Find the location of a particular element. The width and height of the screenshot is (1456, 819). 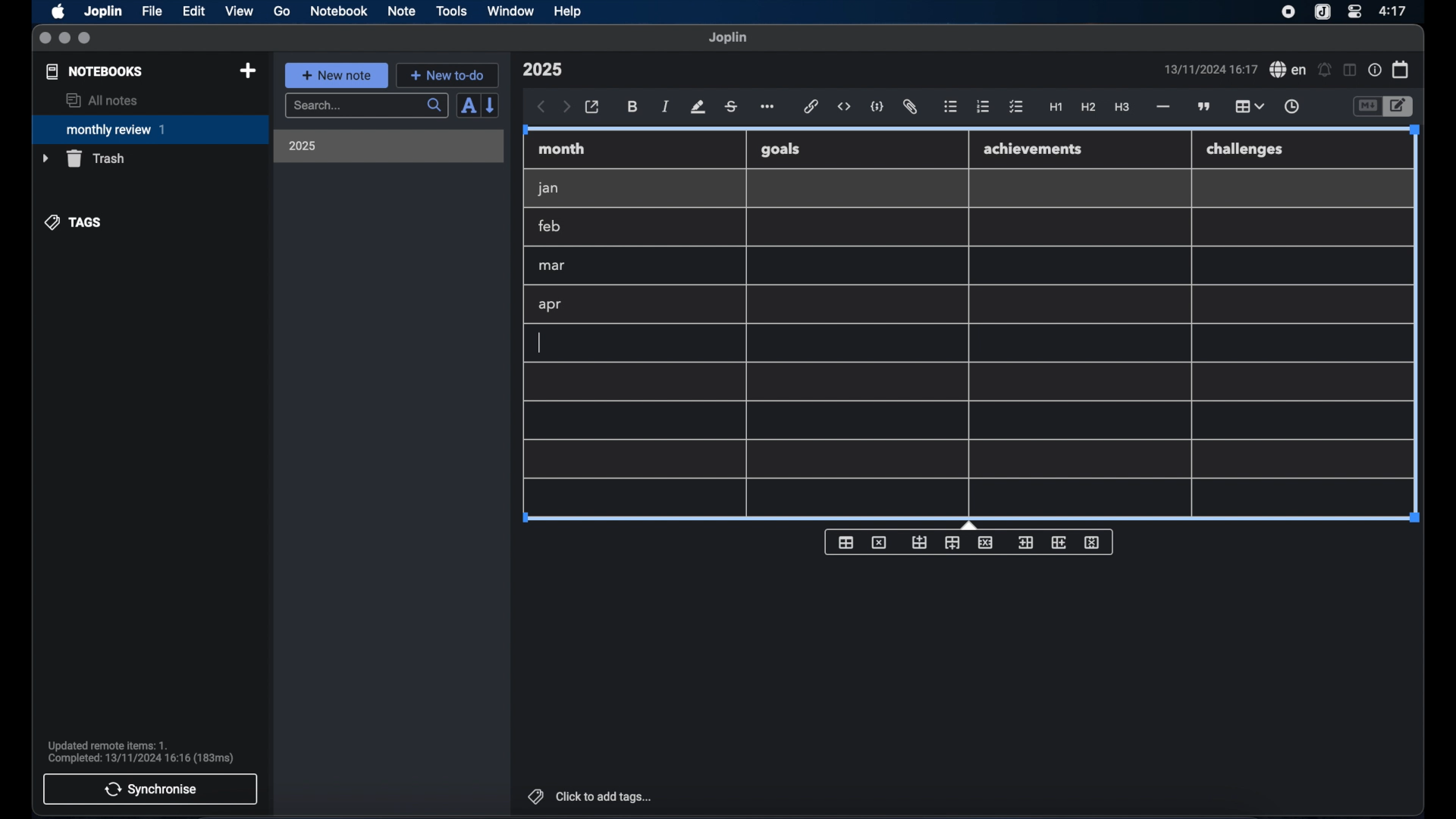

spel check is located at coordinates (1288, 70).